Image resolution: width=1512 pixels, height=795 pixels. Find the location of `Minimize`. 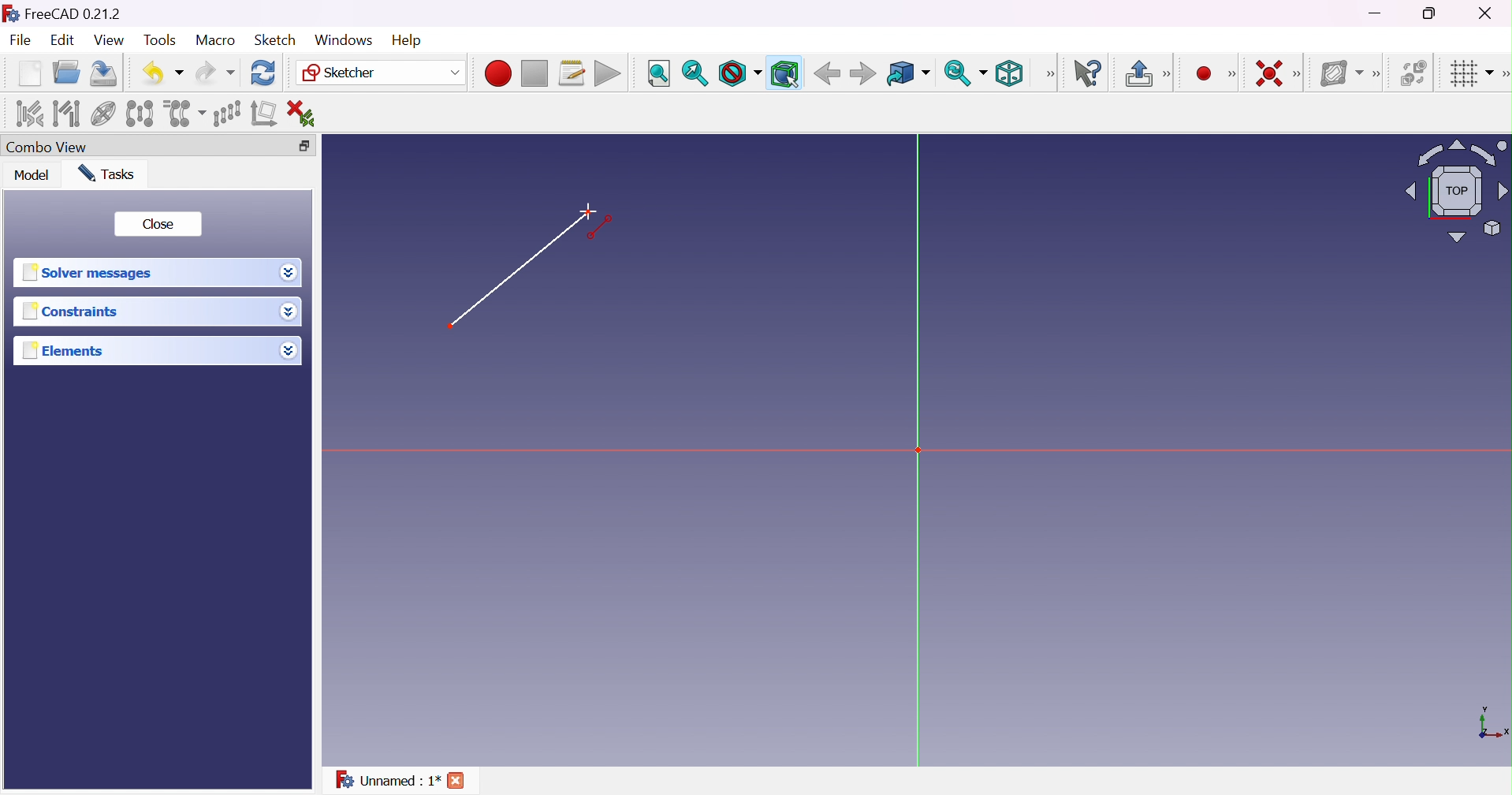

Minimize is located at coordinates (1376, 15).